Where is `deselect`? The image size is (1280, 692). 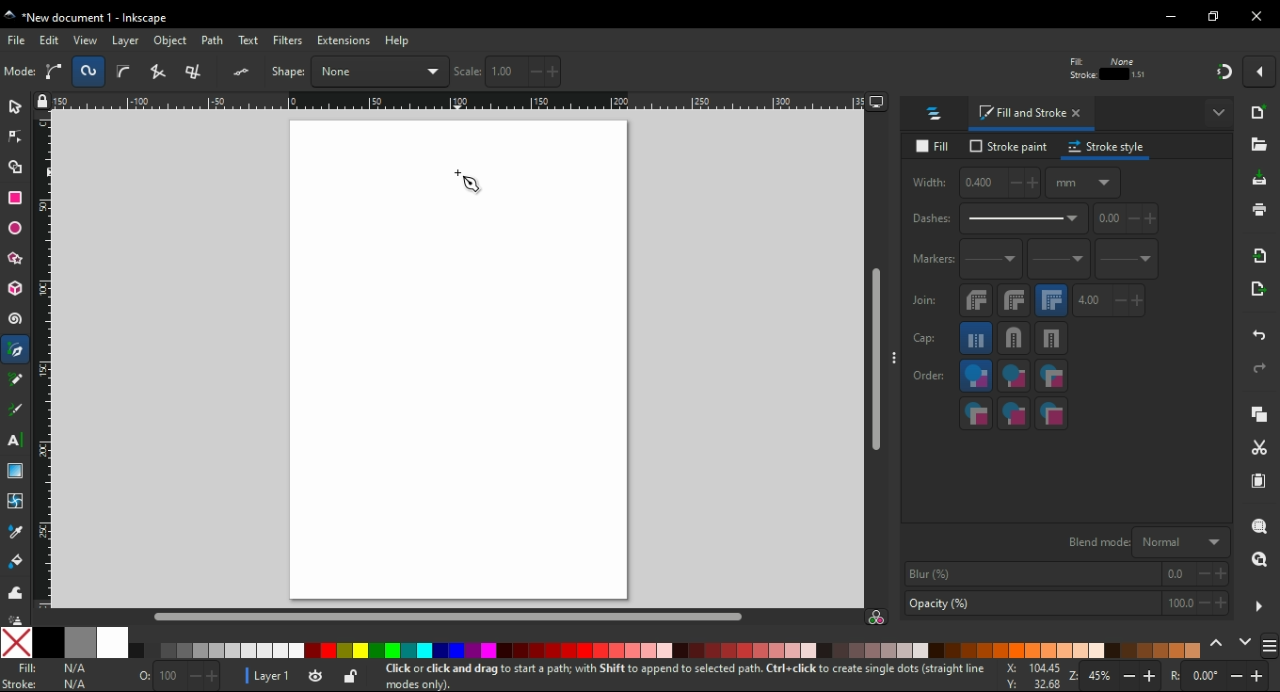
deselect is located at coordinates (91, 70).